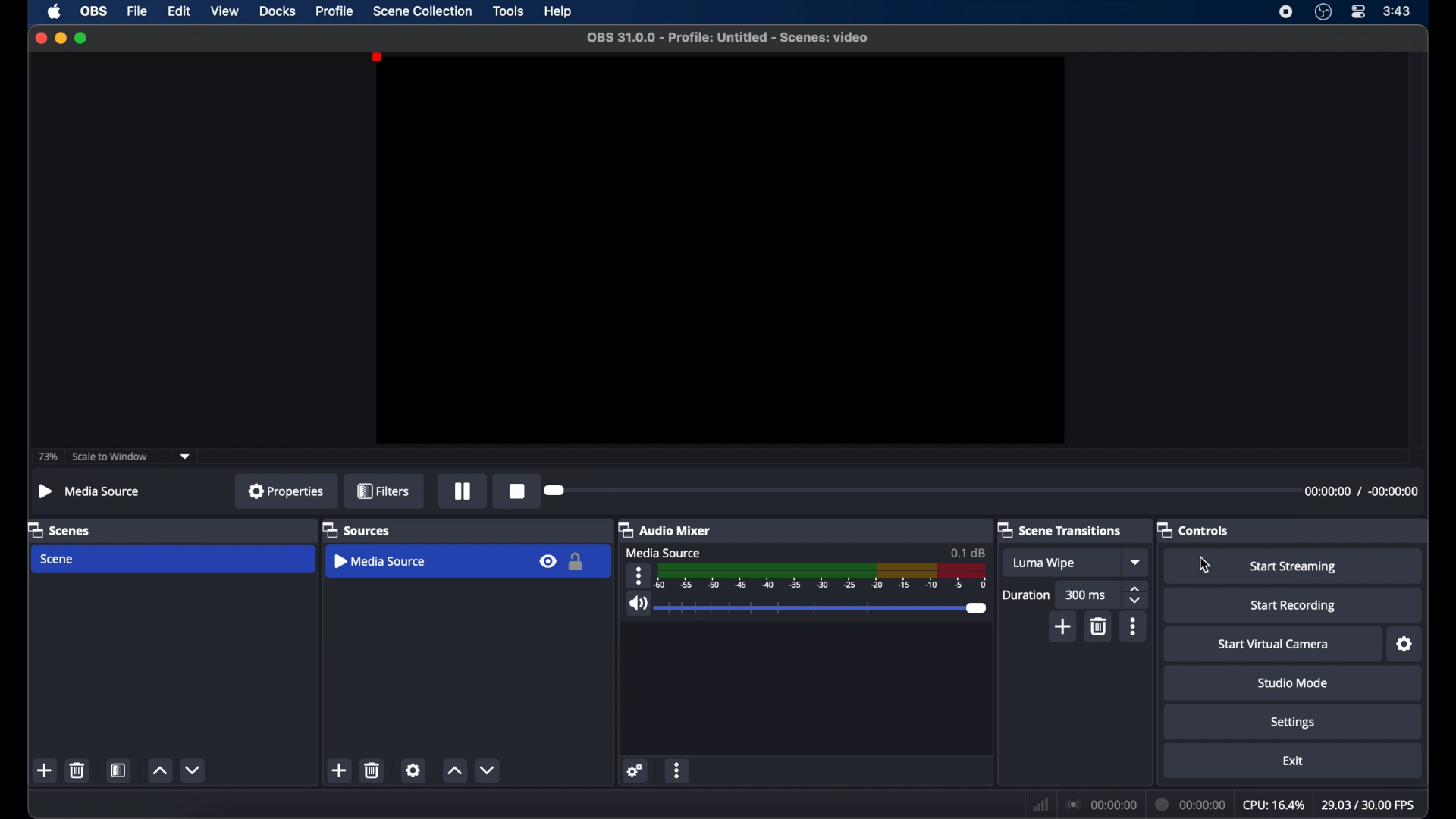 This screenshot has height=819, width=1456. I want to click on Media Source, so click(90, 492).